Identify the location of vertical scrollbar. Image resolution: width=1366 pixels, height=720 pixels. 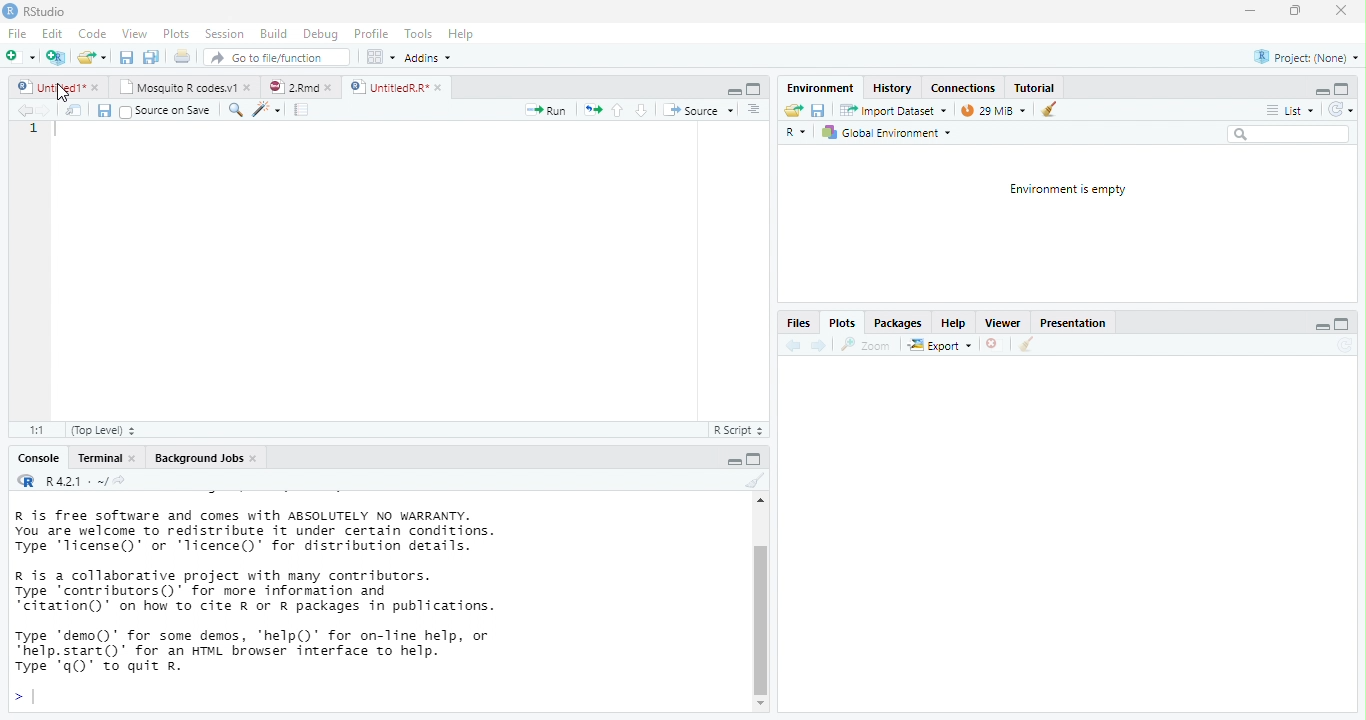
(761, 619).